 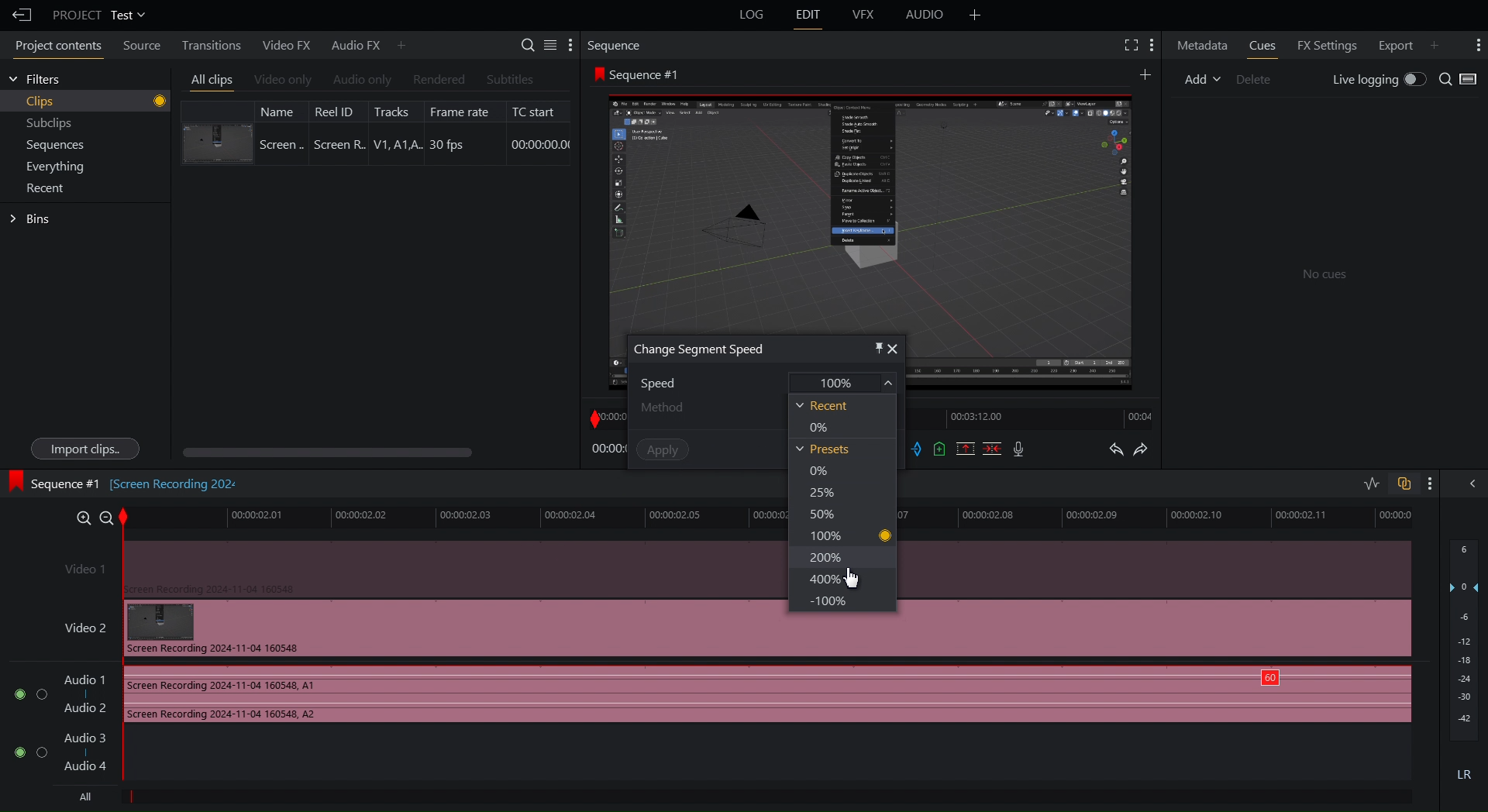 What do you see at coordinates (81, 797) in the screenshot?
I see `All` at bounding box center [81, 797].